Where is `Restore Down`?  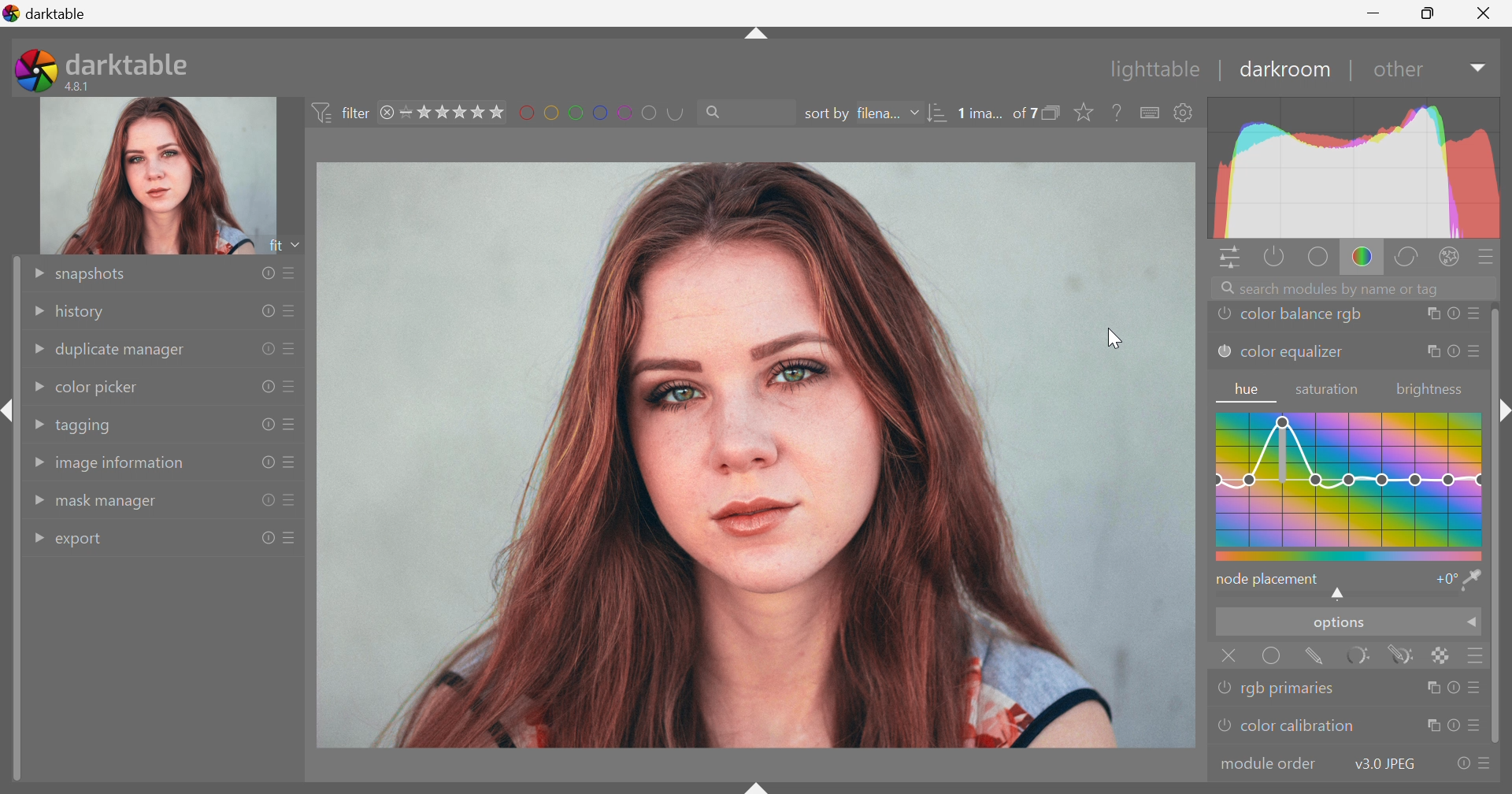
Restore Down is located at coordinates (1430, 15).